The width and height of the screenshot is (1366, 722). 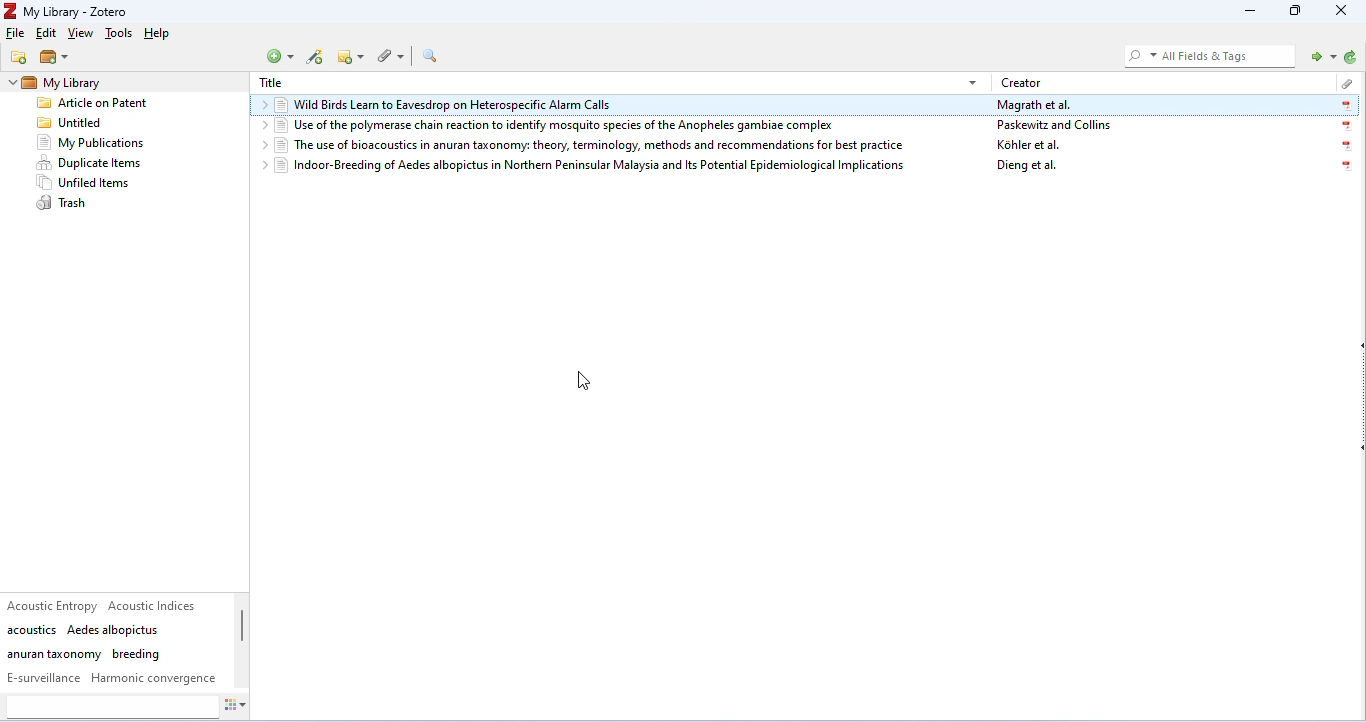 What do you see at coordinates (1343, 11) in the screenshot?
I see `close` at bounding box center [1343, 11].